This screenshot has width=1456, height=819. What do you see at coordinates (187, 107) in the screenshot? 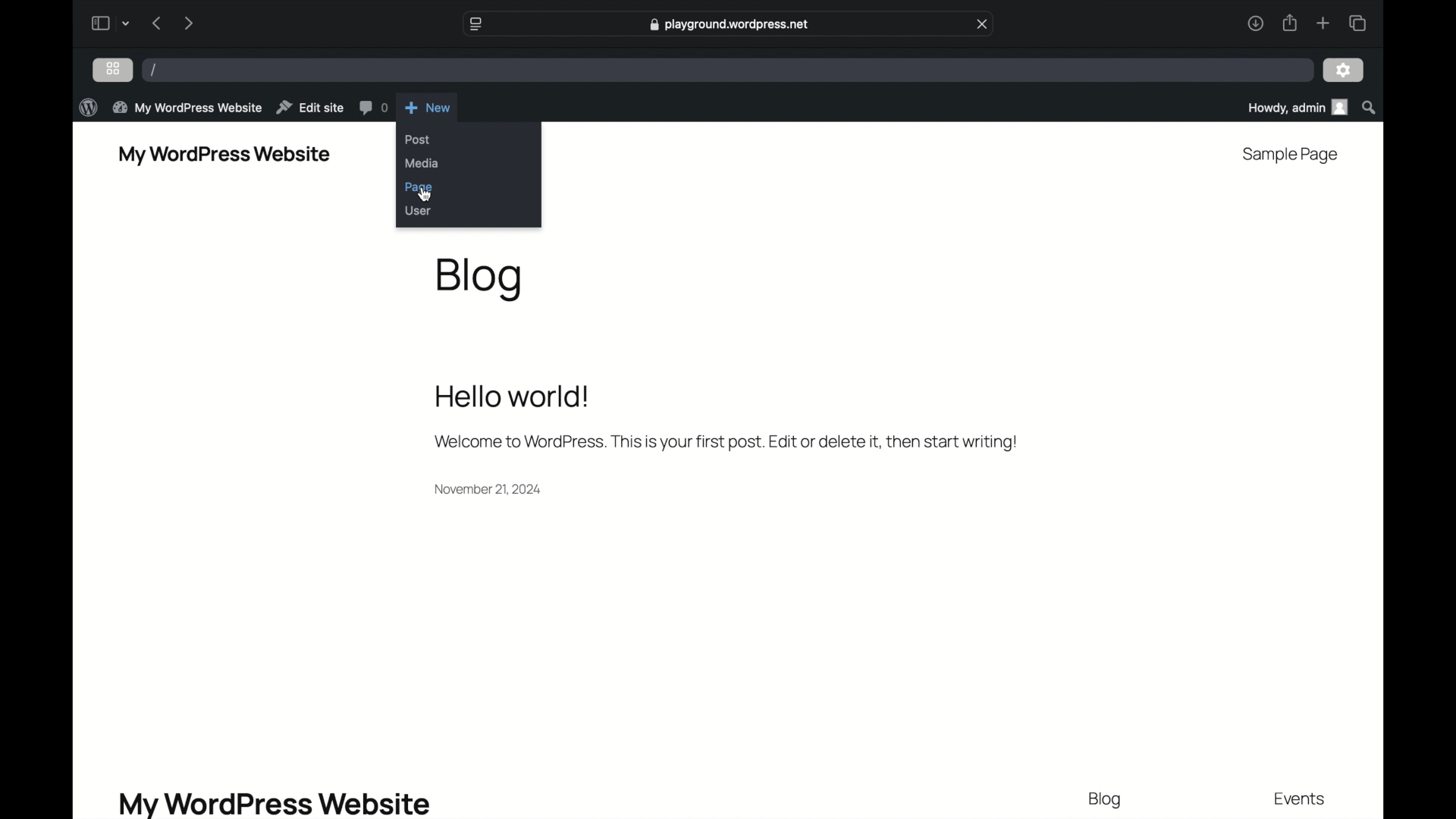
I see `my wordpress website` at bounding box center [187, 107].